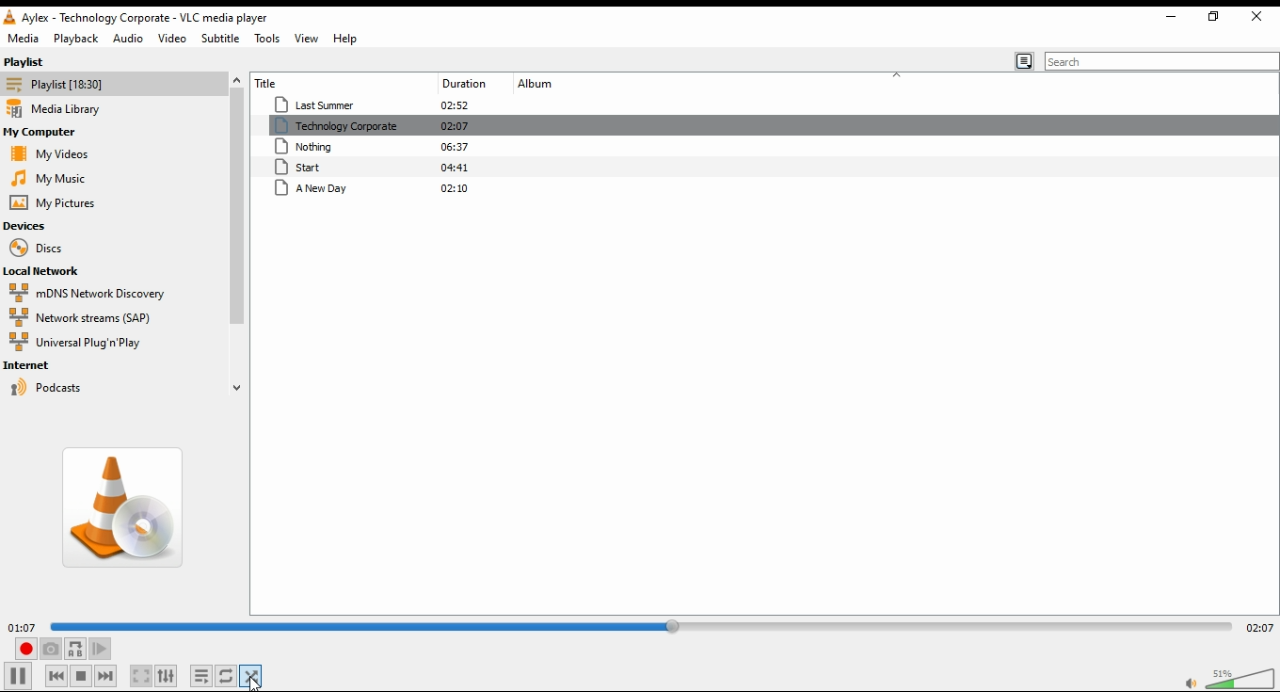 The height and width of the screenshot is (692, 1280). Describe the element at coordinates (1244, 679) in the screenshot. I see `volume` at that location.